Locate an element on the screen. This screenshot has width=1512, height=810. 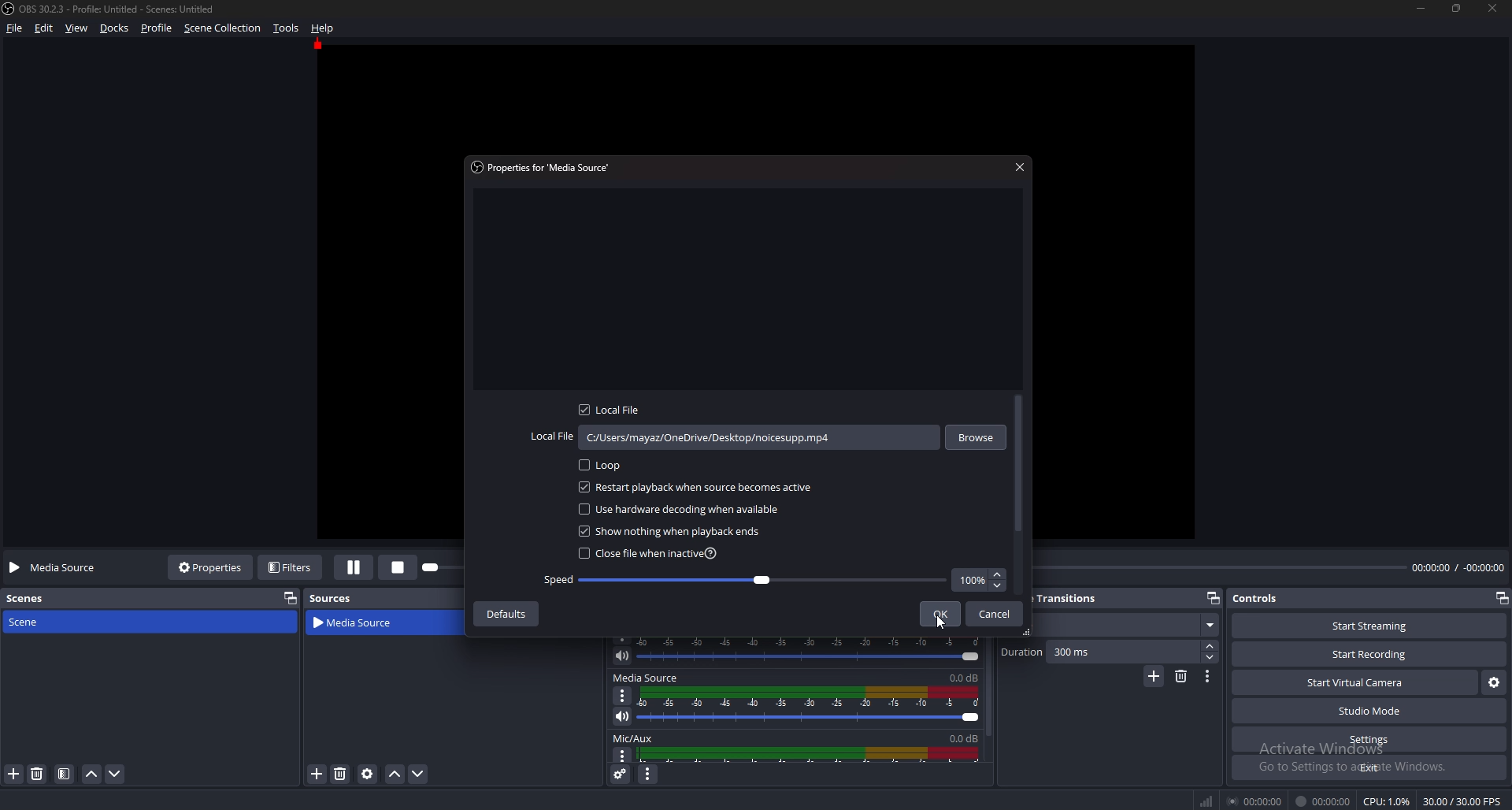
Tools is located at coordinates (287, 28).